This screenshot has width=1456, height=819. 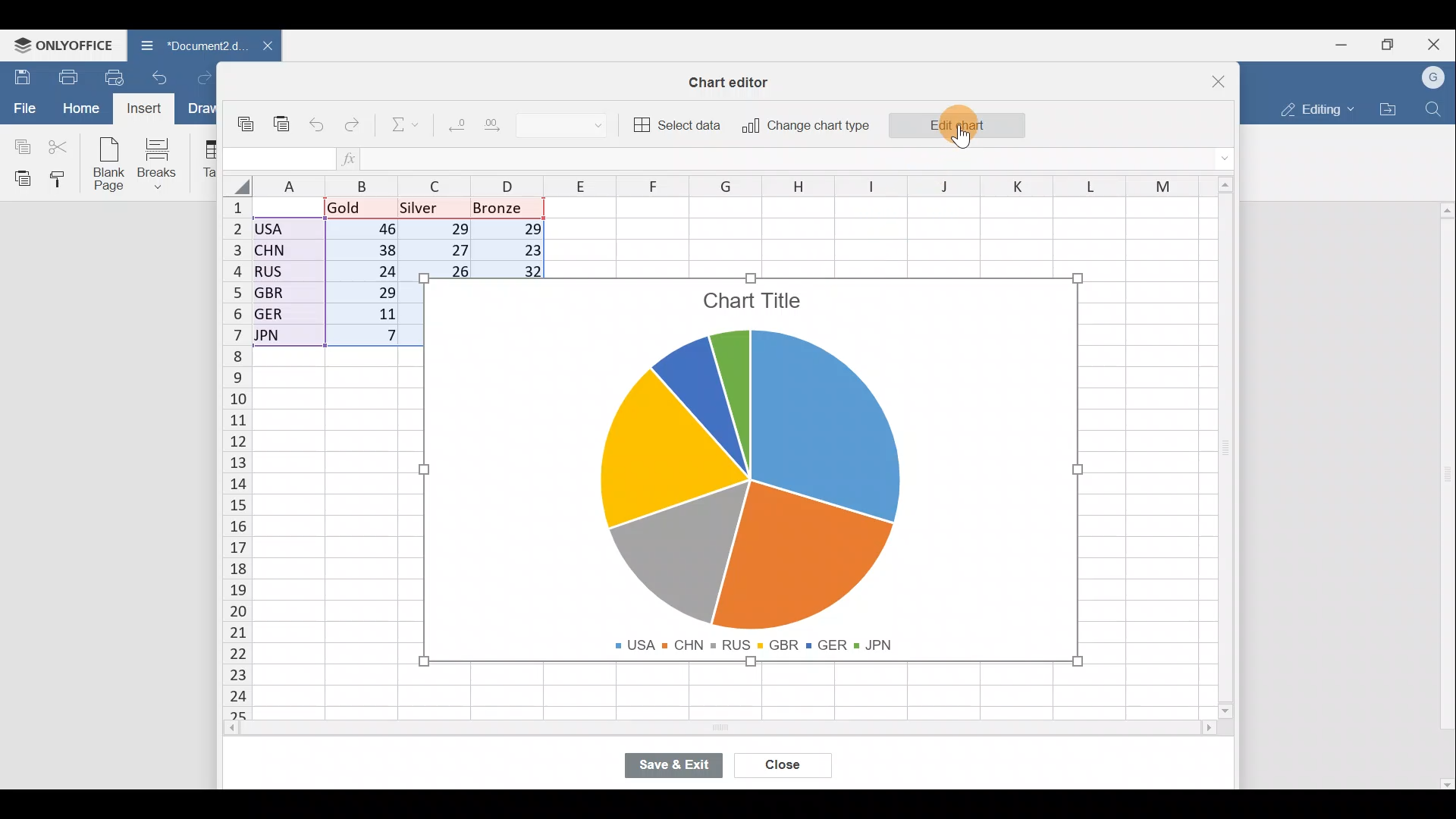 What do you see at coordinates (19, 177) in the screenshot?
I see `Paste` at bounding box center [19, 177].